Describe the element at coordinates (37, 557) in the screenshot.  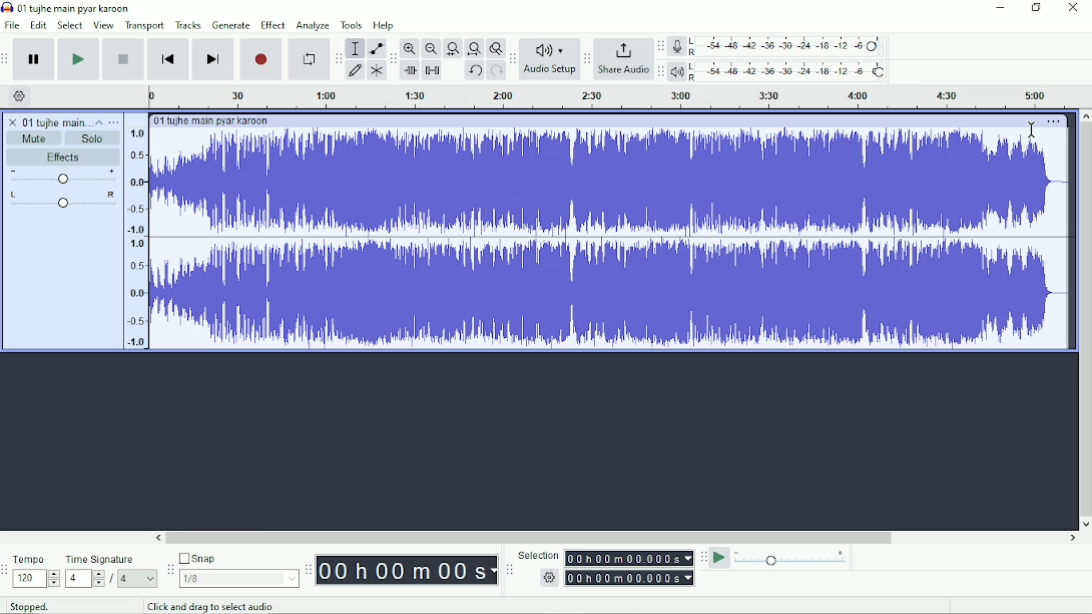
I see `Tempo` at that location.